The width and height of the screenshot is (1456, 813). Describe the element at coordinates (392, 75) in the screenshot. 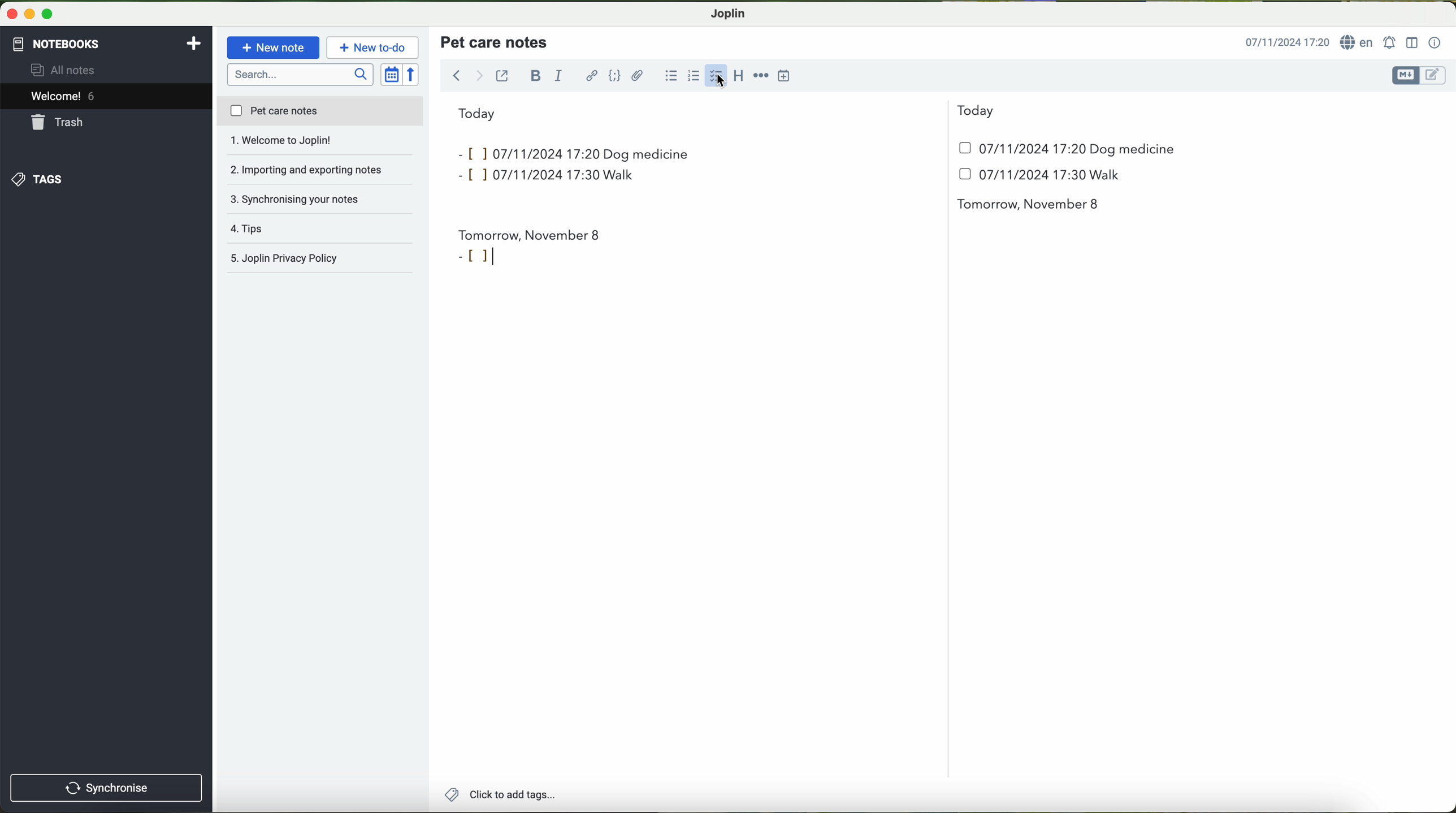

I see `toggle sort order field` at that location.